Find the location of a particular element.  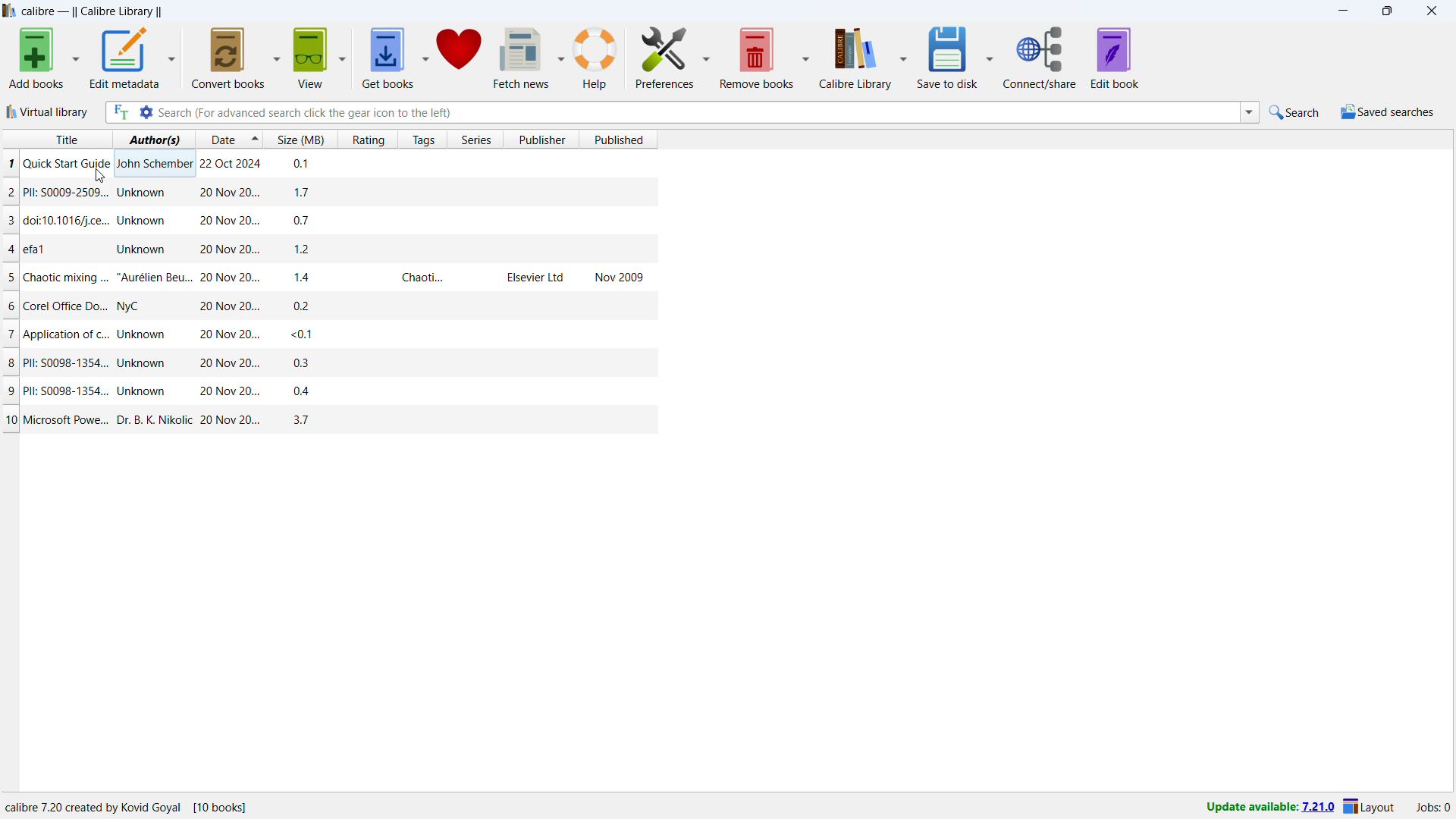

remove books options is located at coordinates (805, 56).